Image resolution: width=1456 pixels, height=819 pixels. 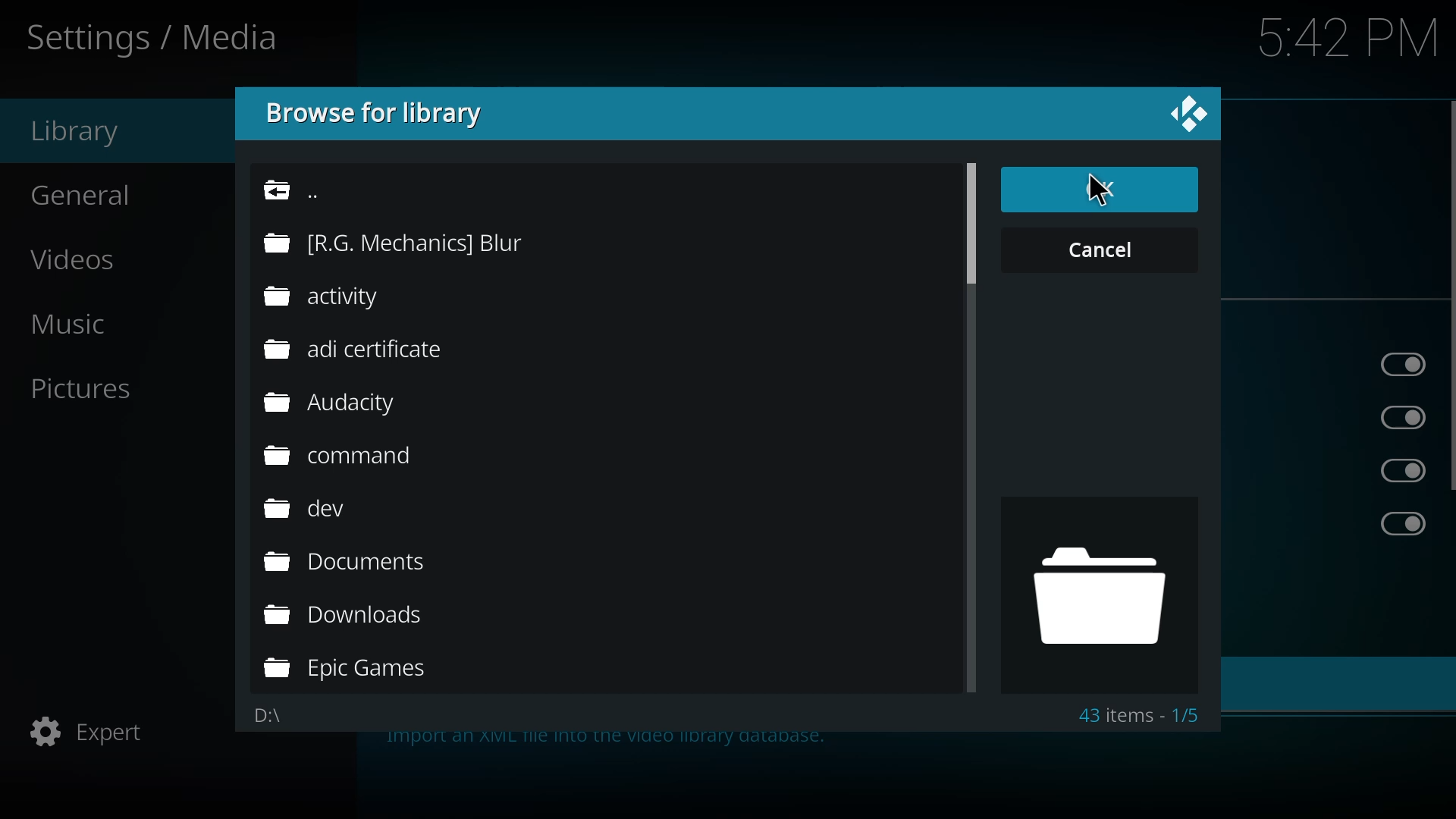 I want to click on close, so click(x=1188, y=114).